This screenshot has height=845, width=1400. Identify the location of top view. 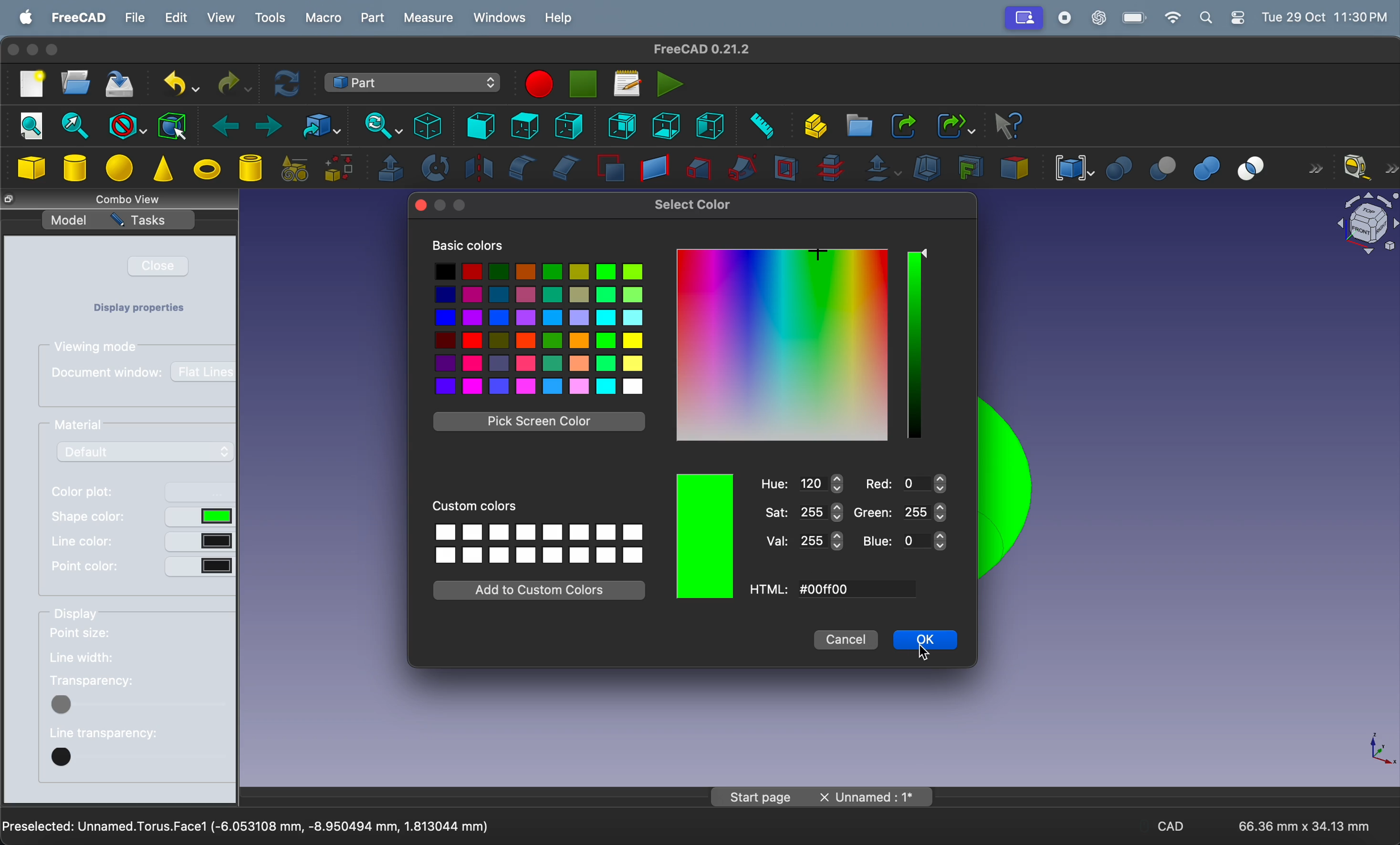
(526, 126).